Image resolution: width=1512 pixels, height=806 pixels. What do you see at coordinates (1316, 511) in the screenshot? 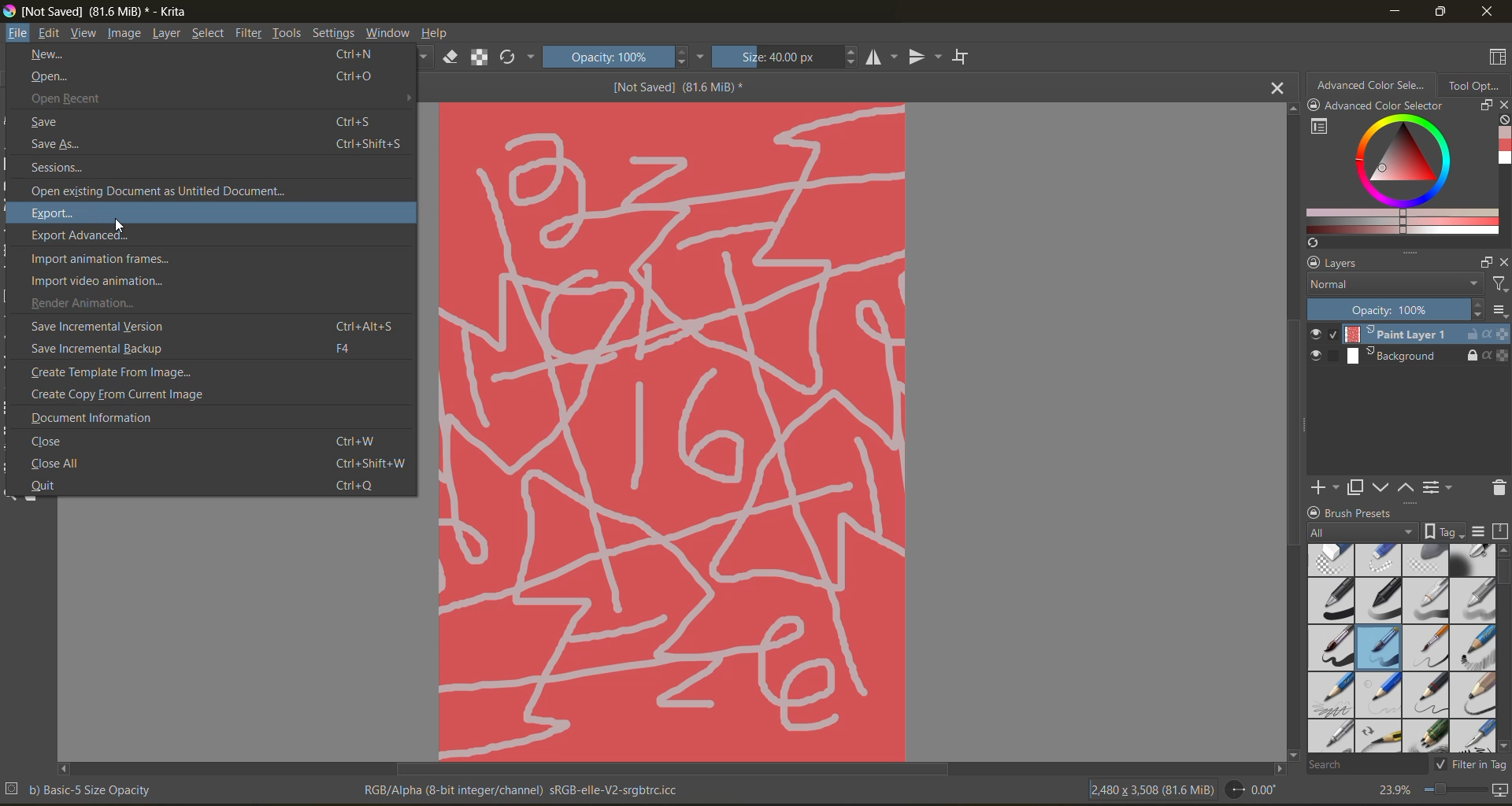
I see `lock/unlock docker` at bounding box center [1316, 511].